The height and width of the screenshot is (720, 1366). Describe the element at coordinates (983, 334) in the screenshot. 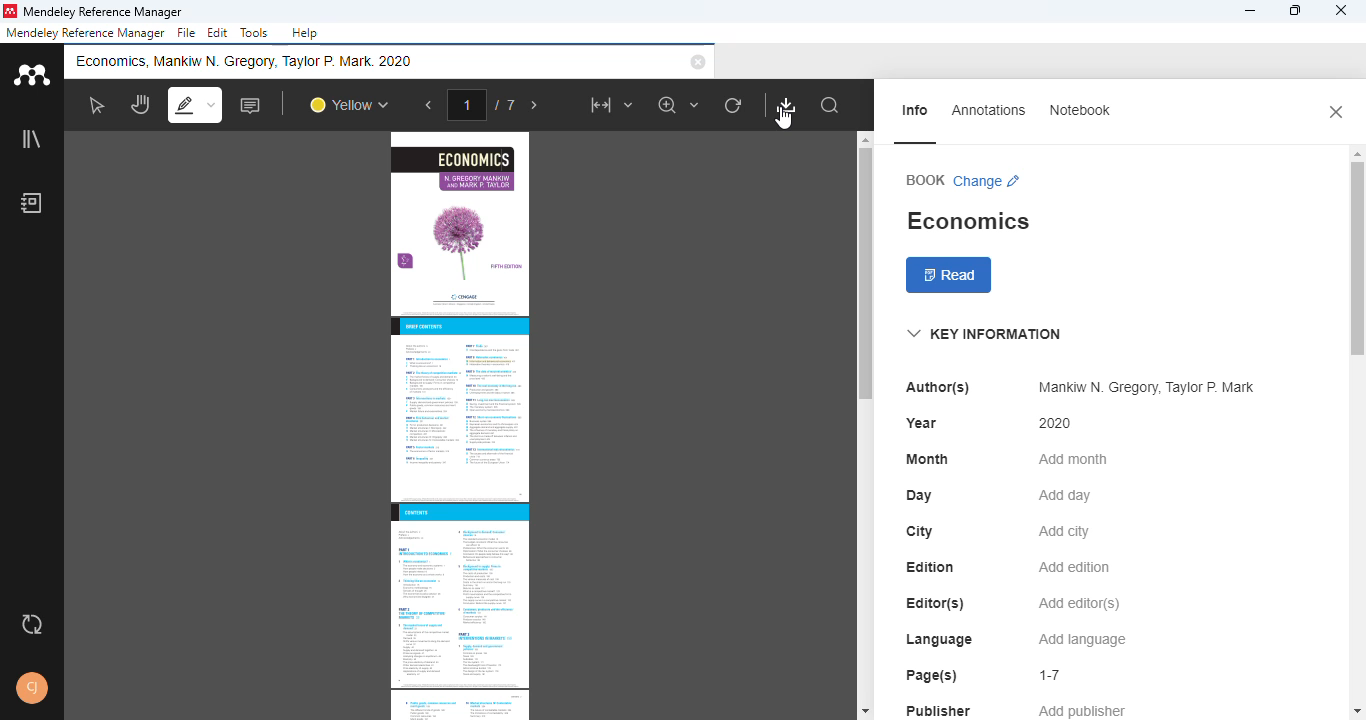

I see `key information` at that location.